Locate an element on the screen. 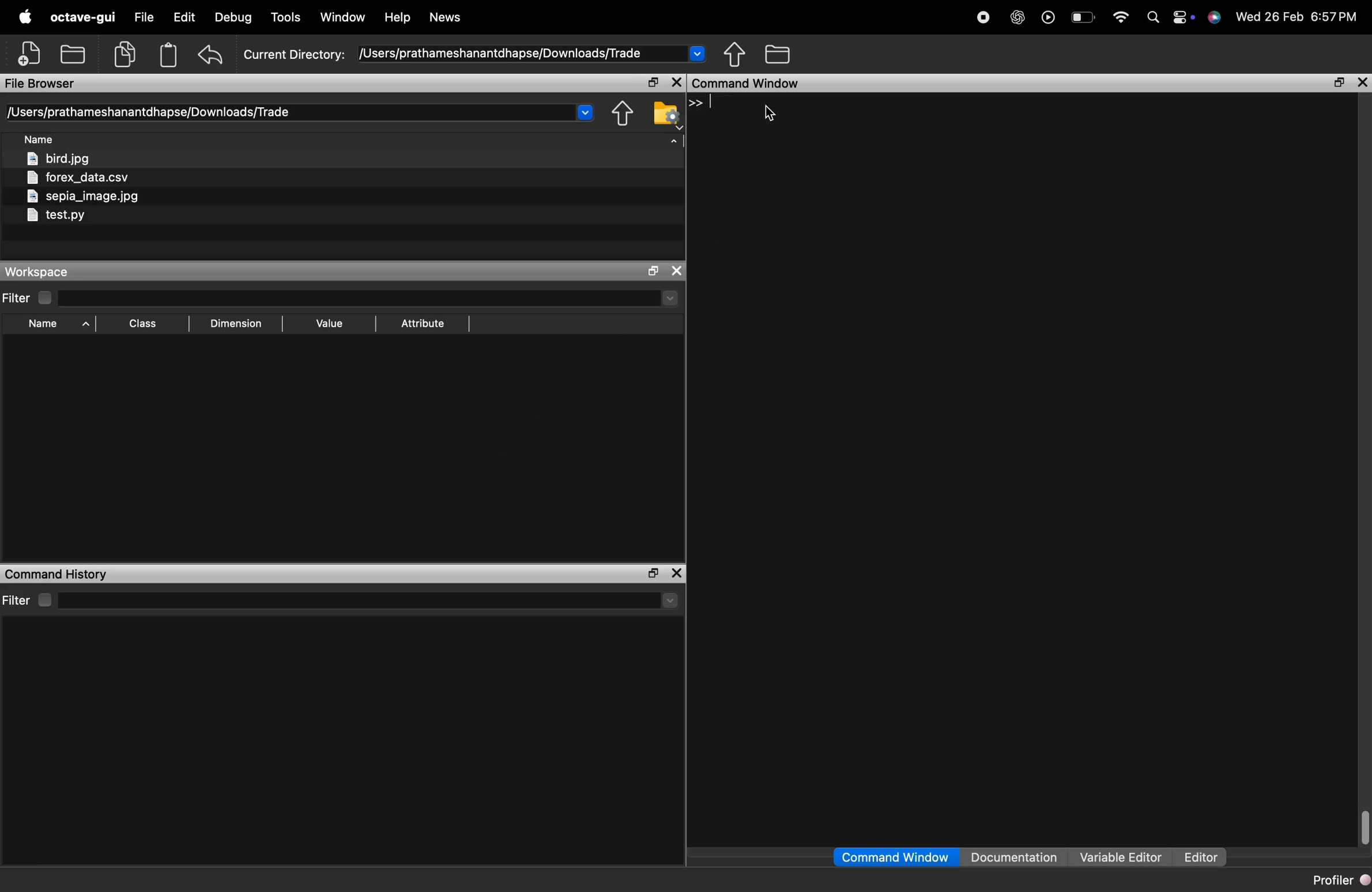 The height and width of the screenshot is (892, 1372). command window is located at coordinates (895, 857).